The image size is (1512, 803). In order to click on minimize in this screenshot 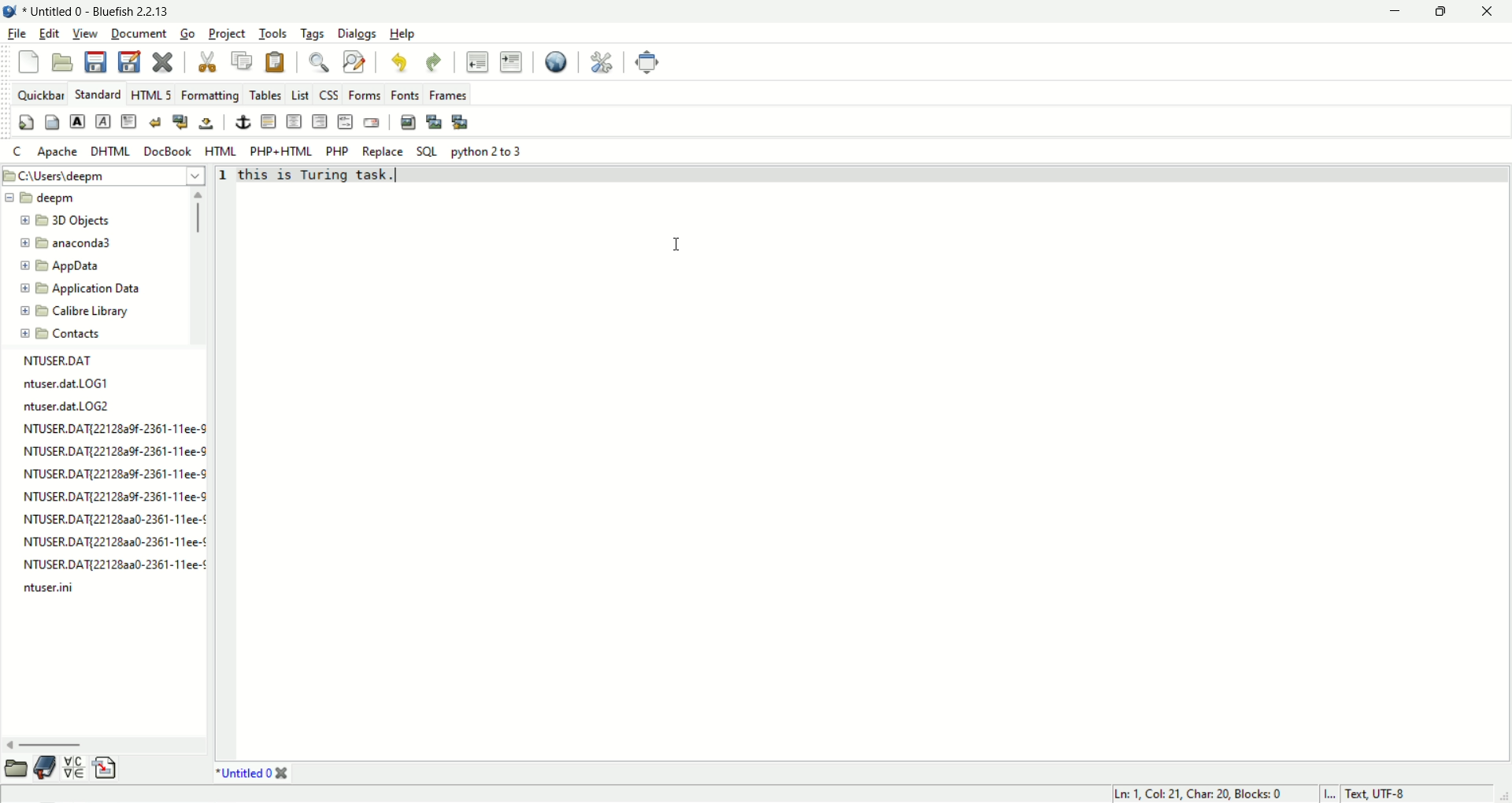, I will do `click(1391, 13)`.